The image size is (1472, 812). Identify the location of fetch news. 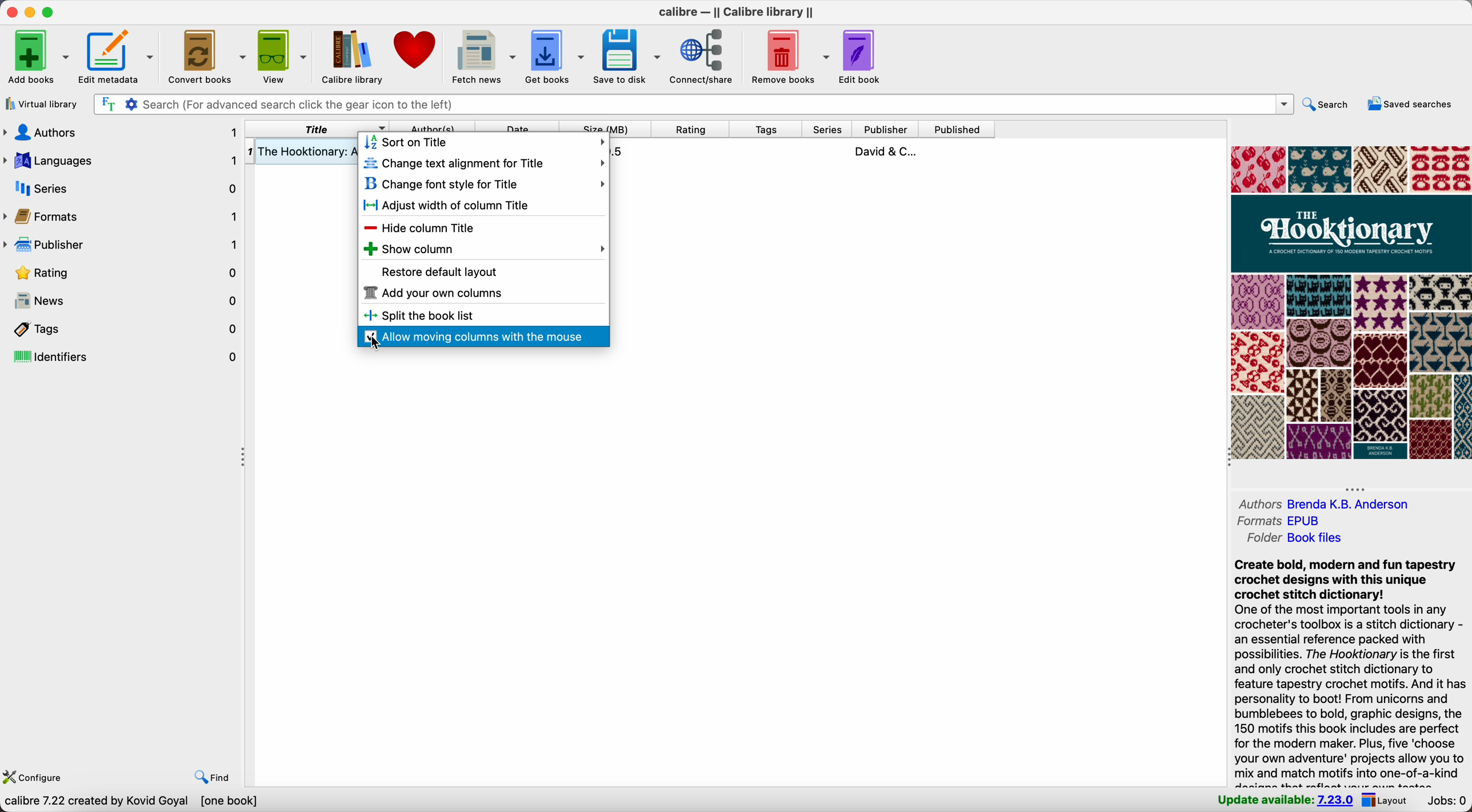
(484, 55).